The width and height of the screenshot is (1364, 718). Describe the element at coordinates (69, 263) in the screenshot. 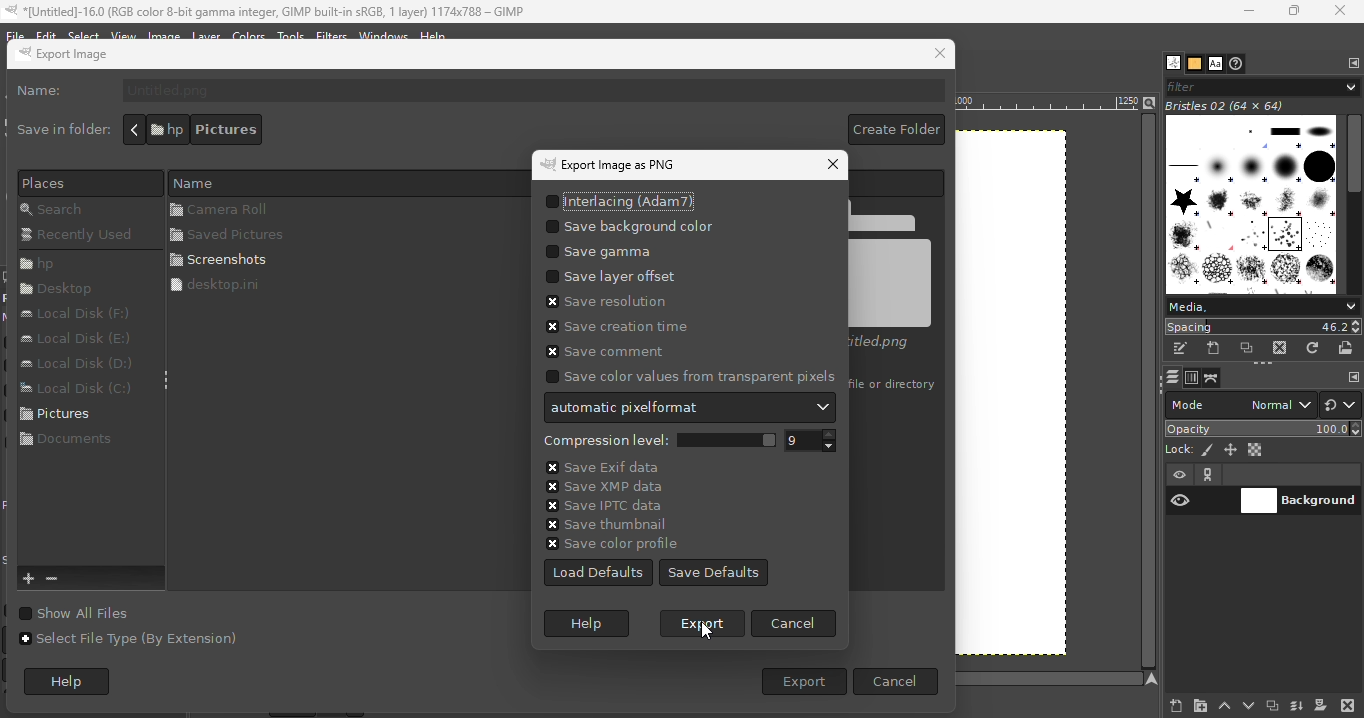

I see `Hp` at that location.